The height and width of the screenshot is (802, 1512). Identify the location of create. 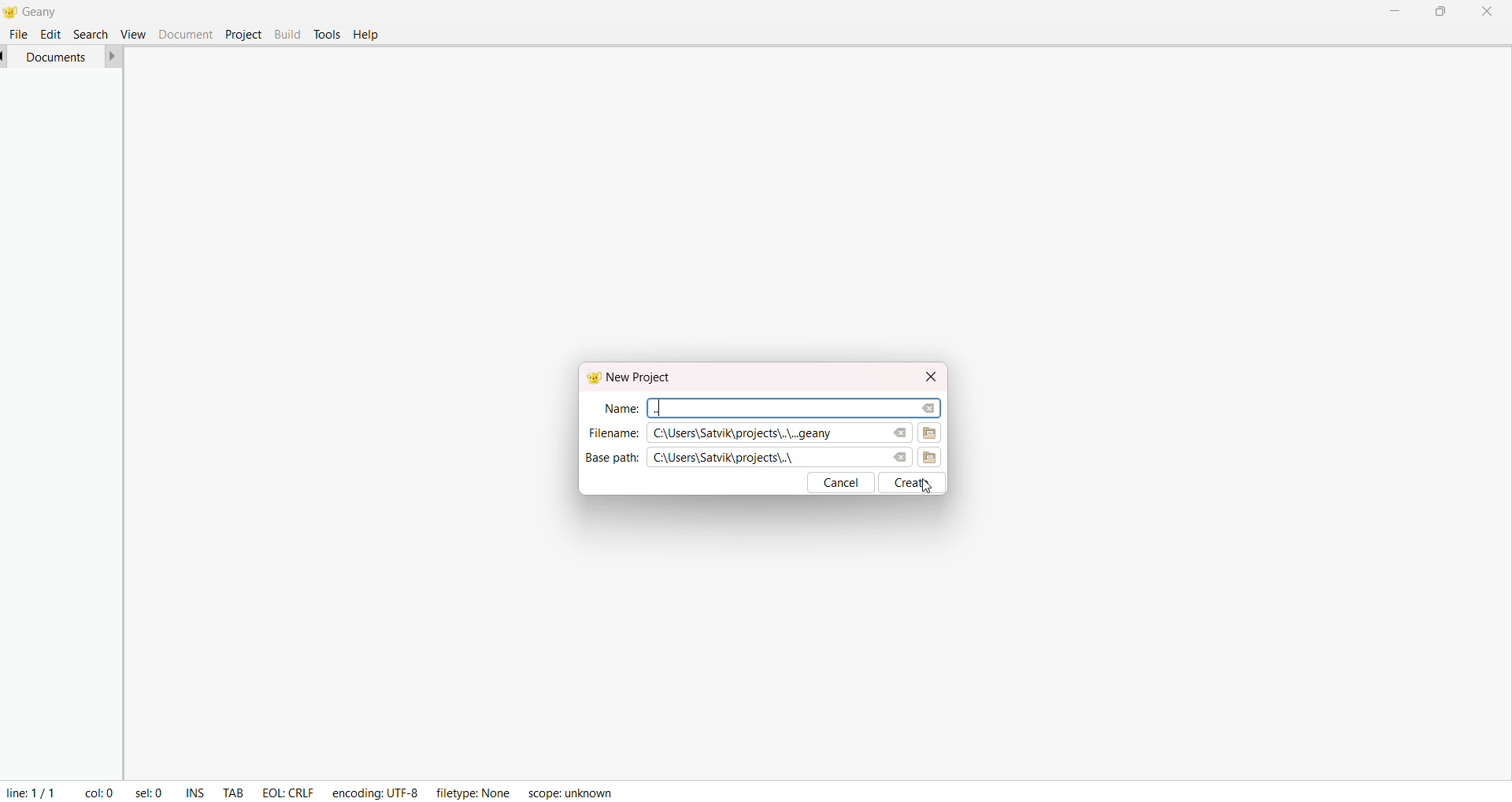
(918, 482).